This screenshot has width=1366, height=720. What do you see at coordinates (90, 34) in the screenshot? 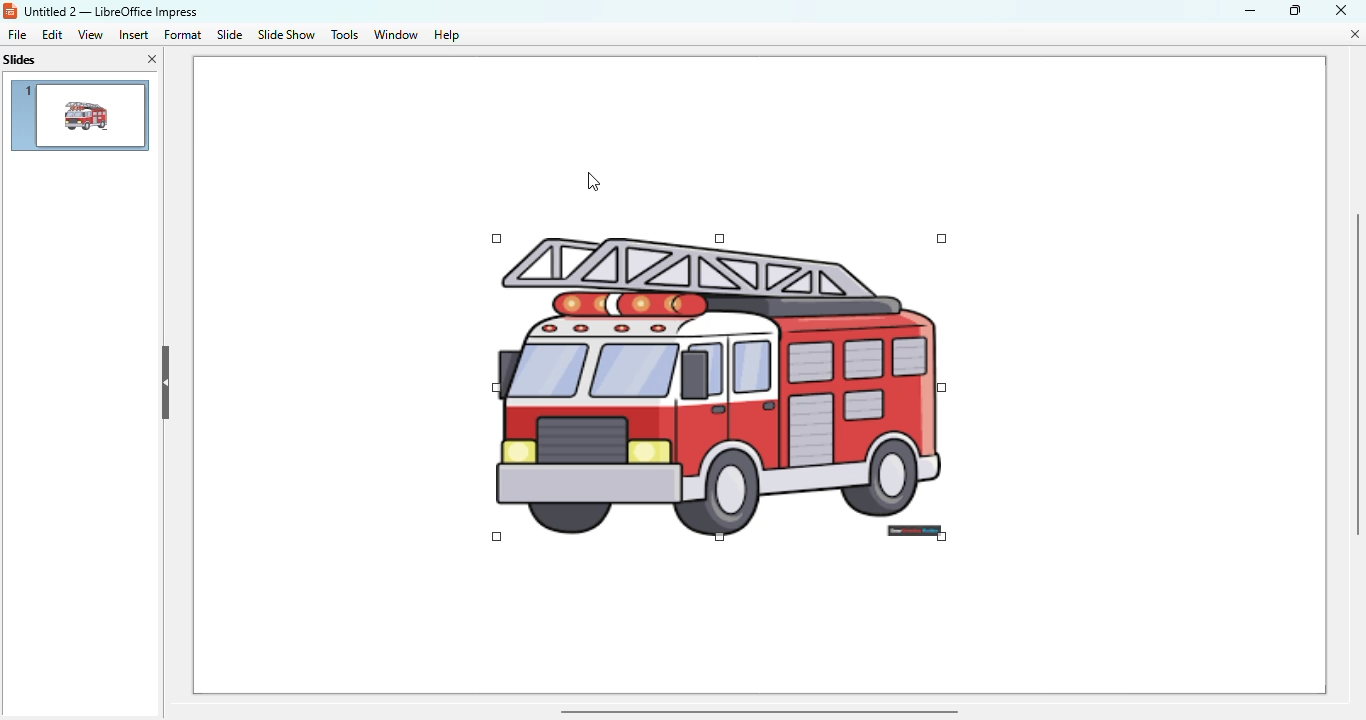
I see `view` at bounding box center [90, 34].